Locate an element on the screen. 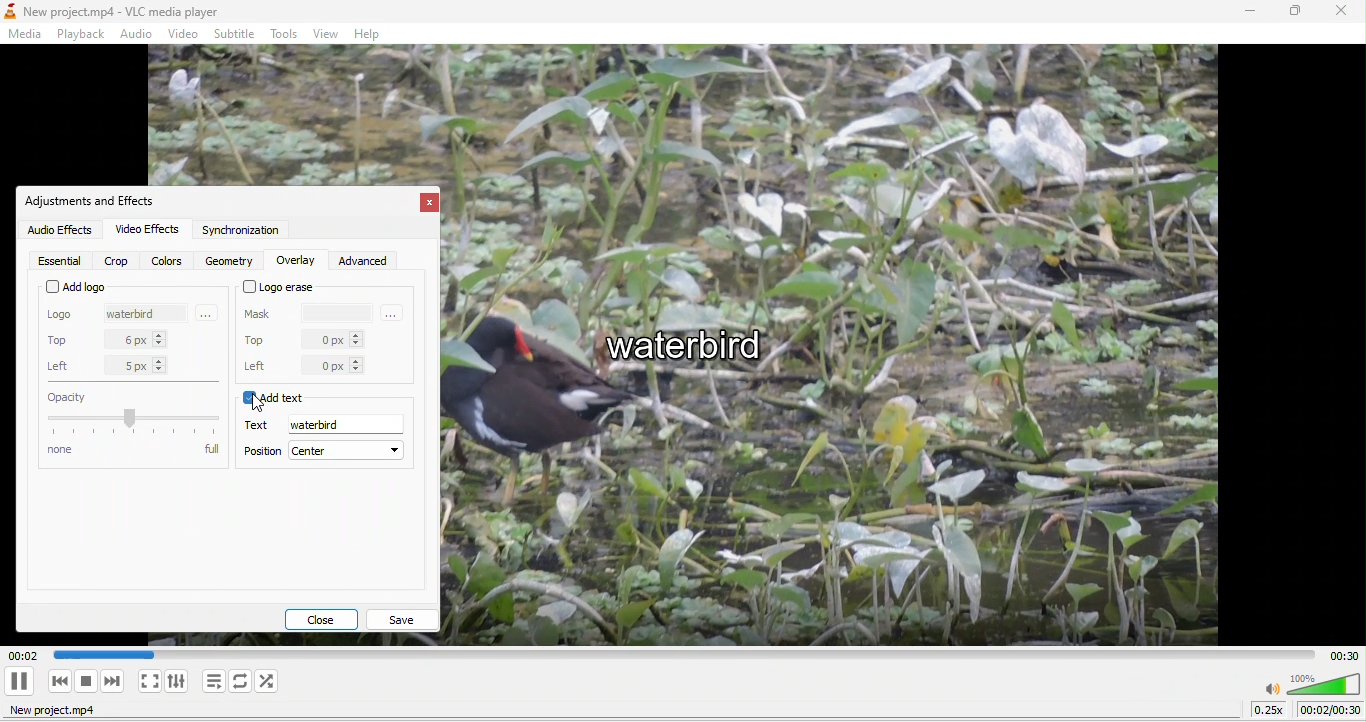 The height and width of the screenshot is (722, 1366). cursor movement is located at coordinates (263, 404).